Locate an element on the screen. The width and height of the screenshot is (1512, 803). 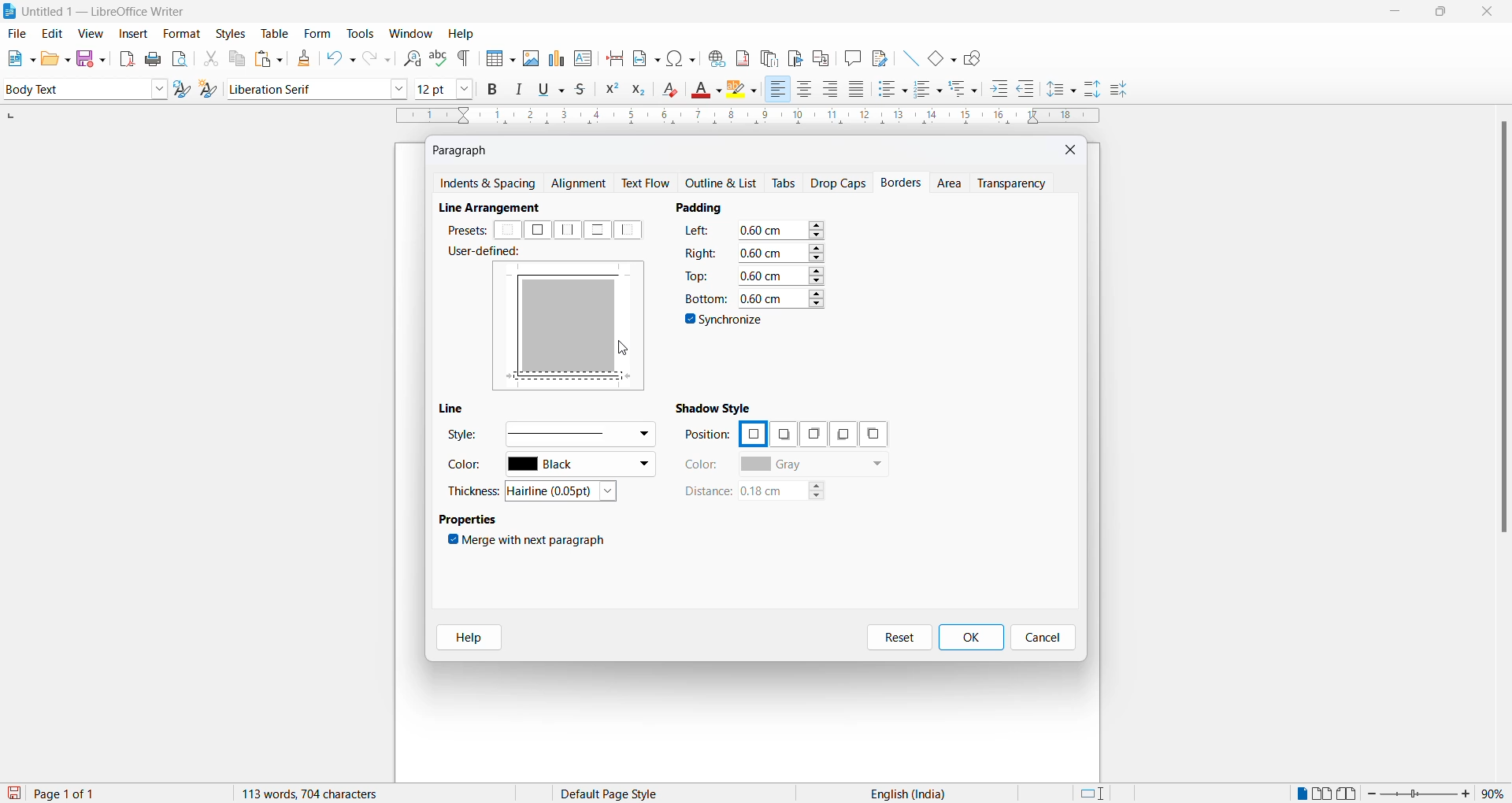
justified is located at coordinates (858, 91).